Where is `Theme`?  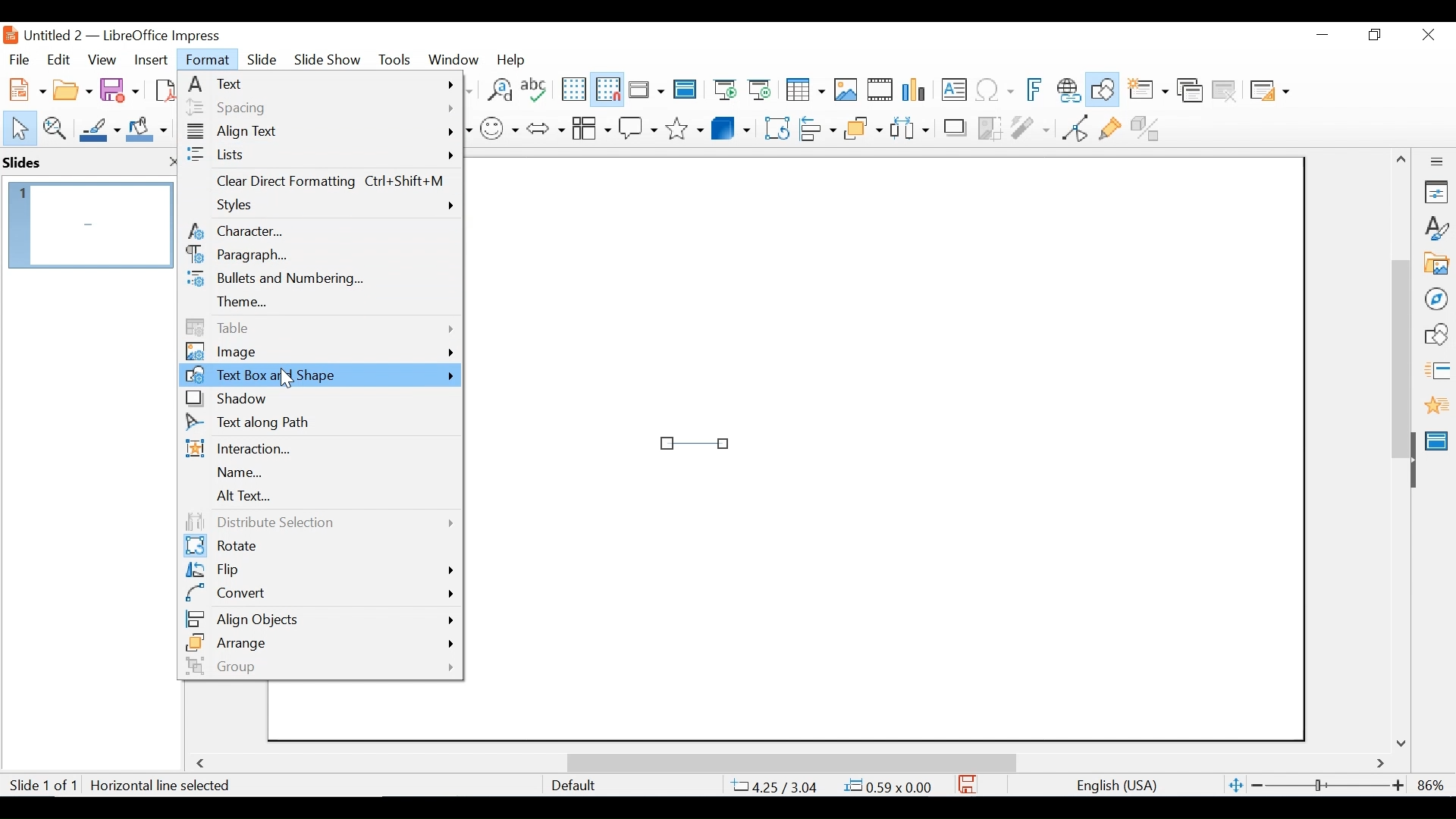 Theme is located at coordinates (319, 302).